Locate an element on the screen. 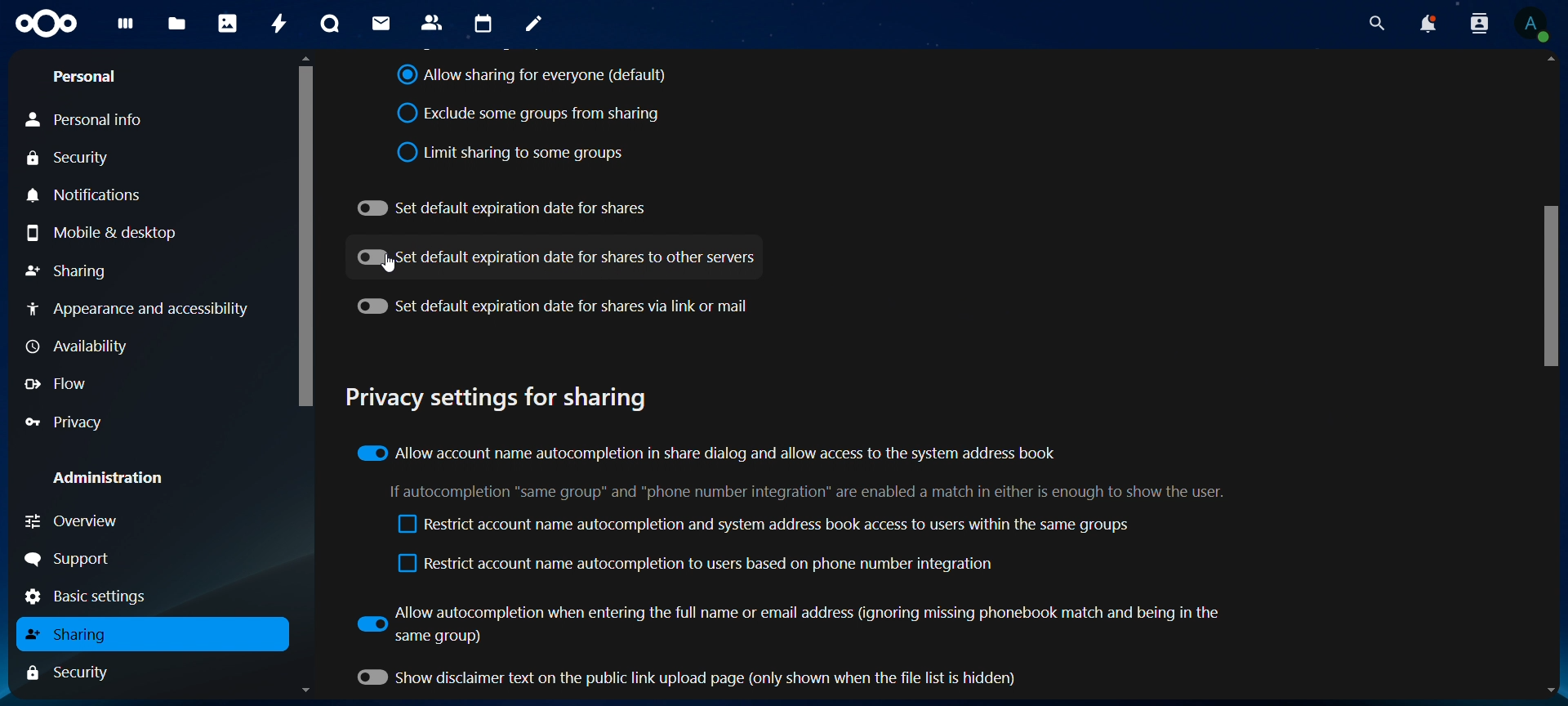 This screenshot has height=706, width=1568. set default expiration date for shares is located at coordinates (505, 206).